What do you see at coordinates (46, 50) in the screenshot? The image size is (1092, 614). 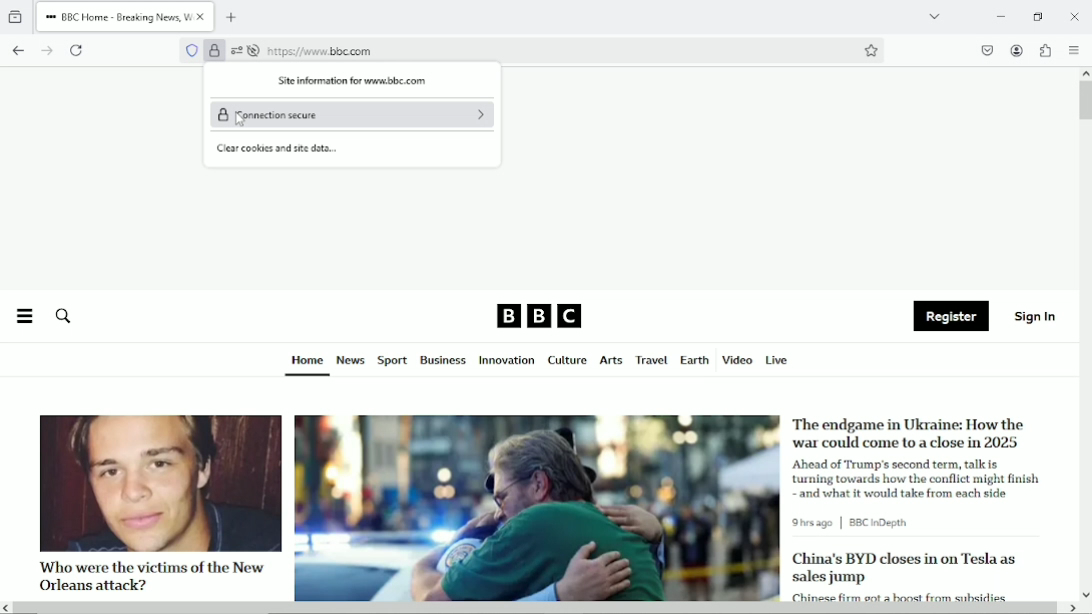 I see `go forward` at bounding box center [46, 50].